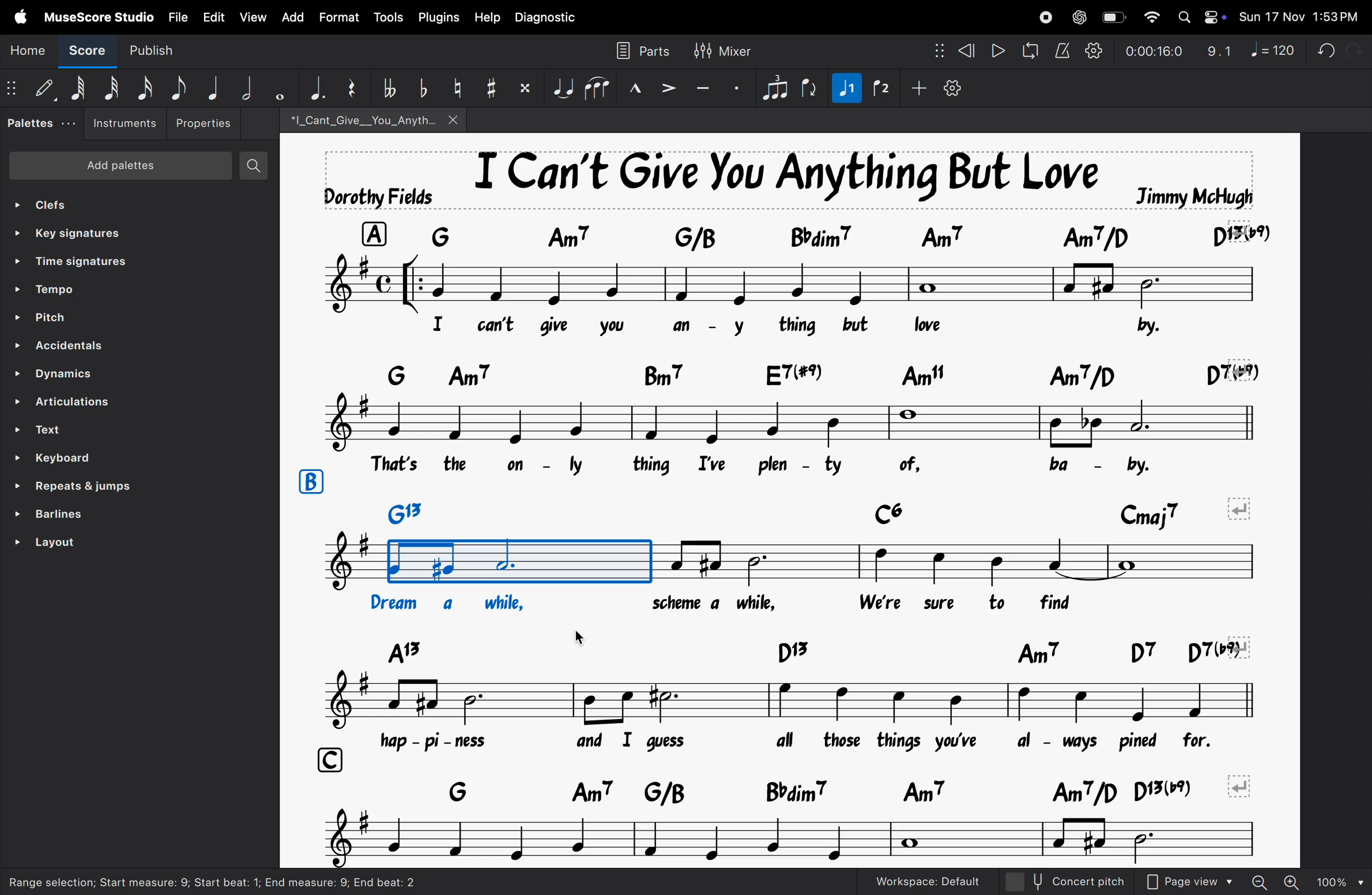 The width and height of the screenshot is (1372, 895). Describe the element at coordinates (806, 652) in the screenshot. I see `keys` at that location.